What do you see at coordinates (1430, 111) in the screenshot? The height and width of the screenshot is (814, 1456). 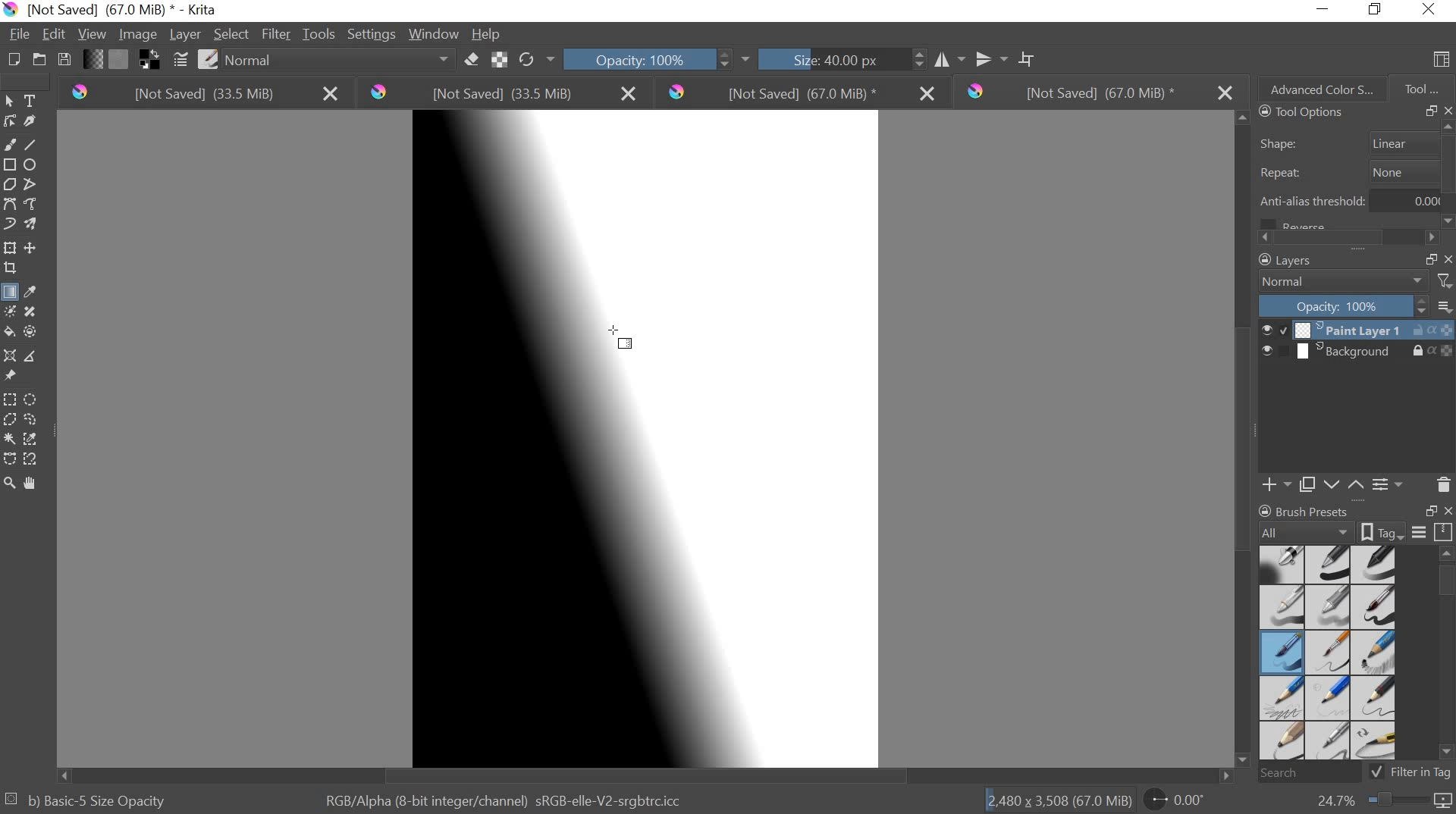 I see `RESTORE DOWN` at bounding box center [1430, 111].